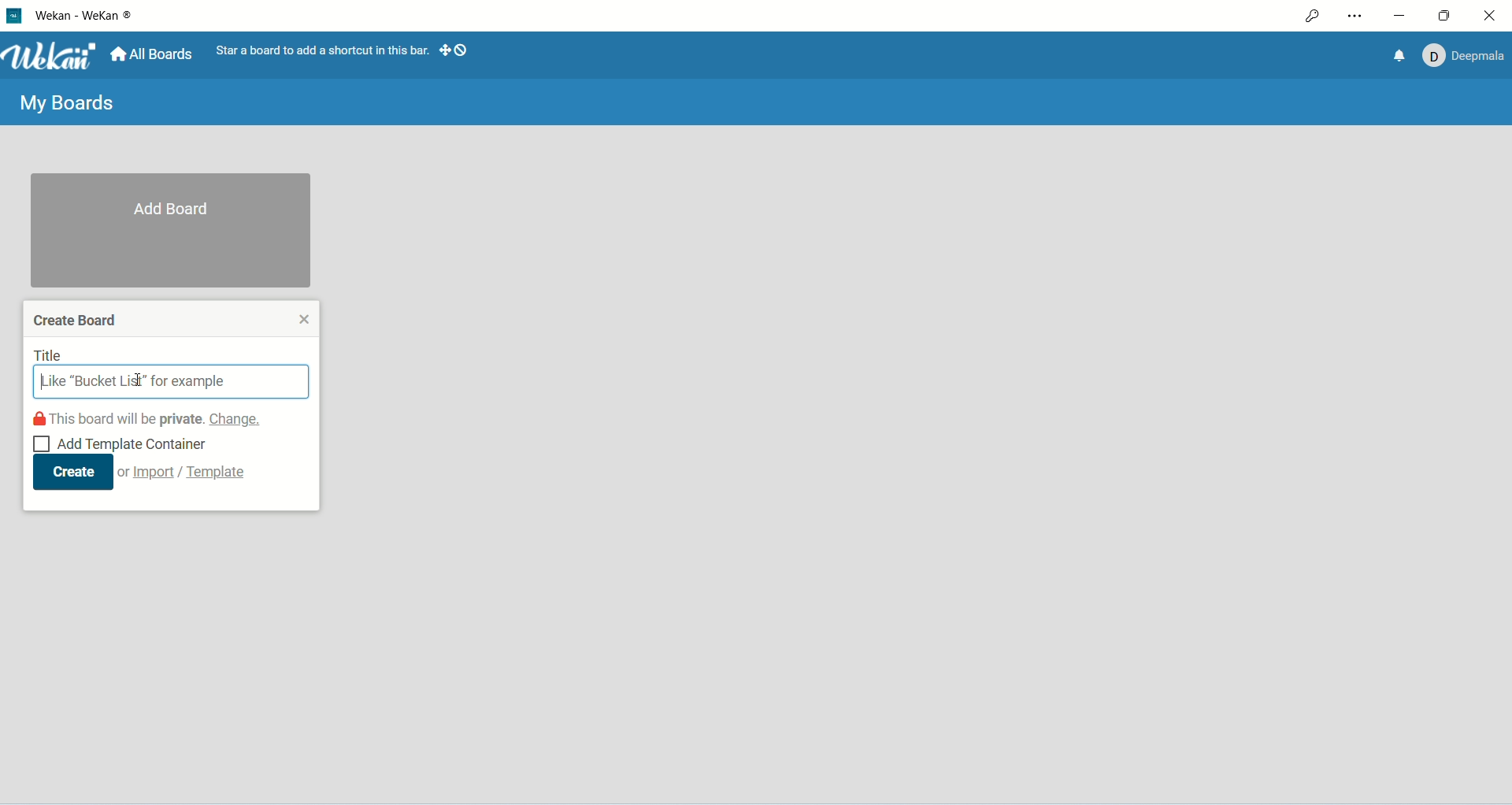 This screenshot has width=1512, height=805. I want to click on minimize, so click(1404, 14).